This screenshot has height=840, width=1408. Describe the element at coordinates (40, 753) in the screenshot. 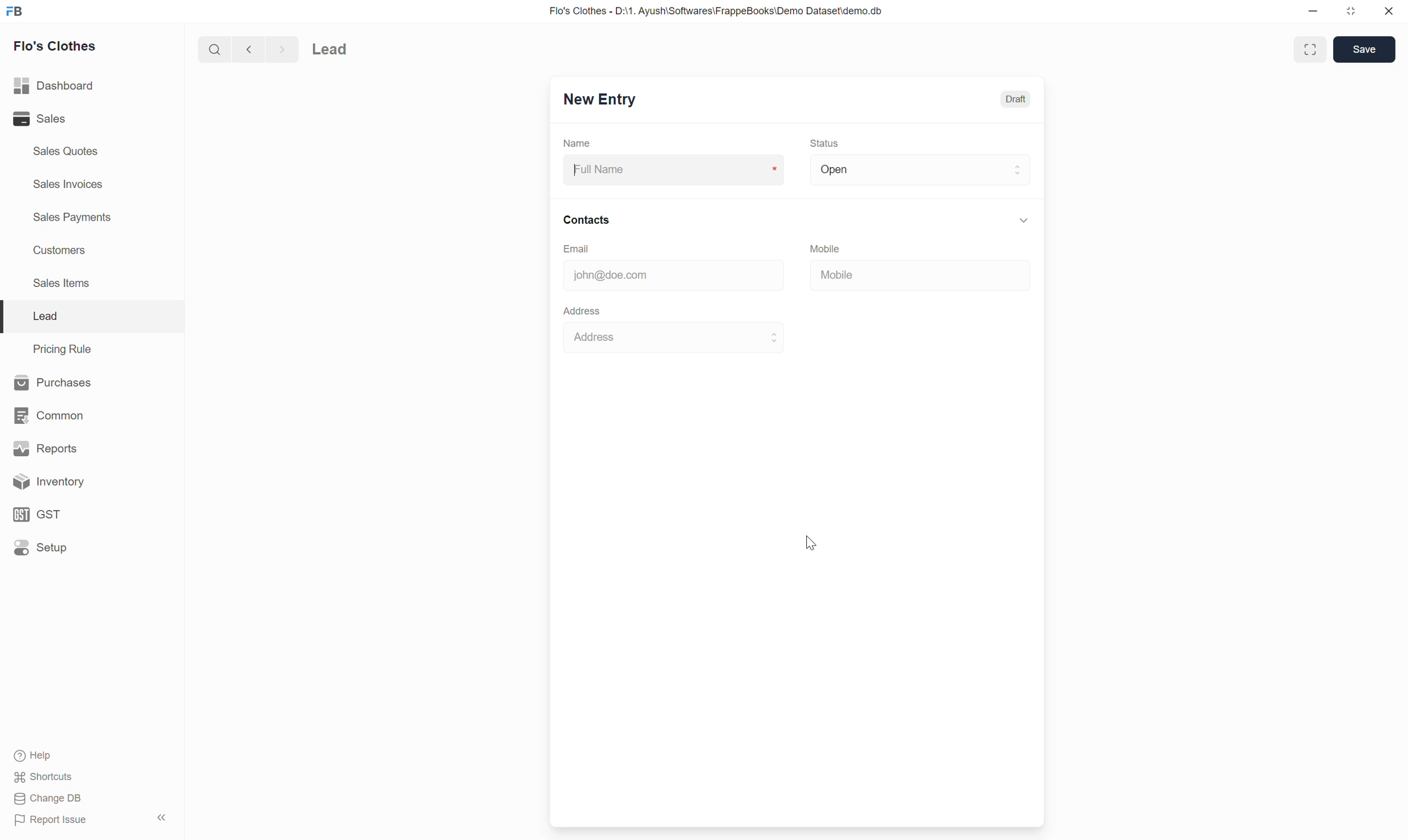

I see `(®) Help` at that location.